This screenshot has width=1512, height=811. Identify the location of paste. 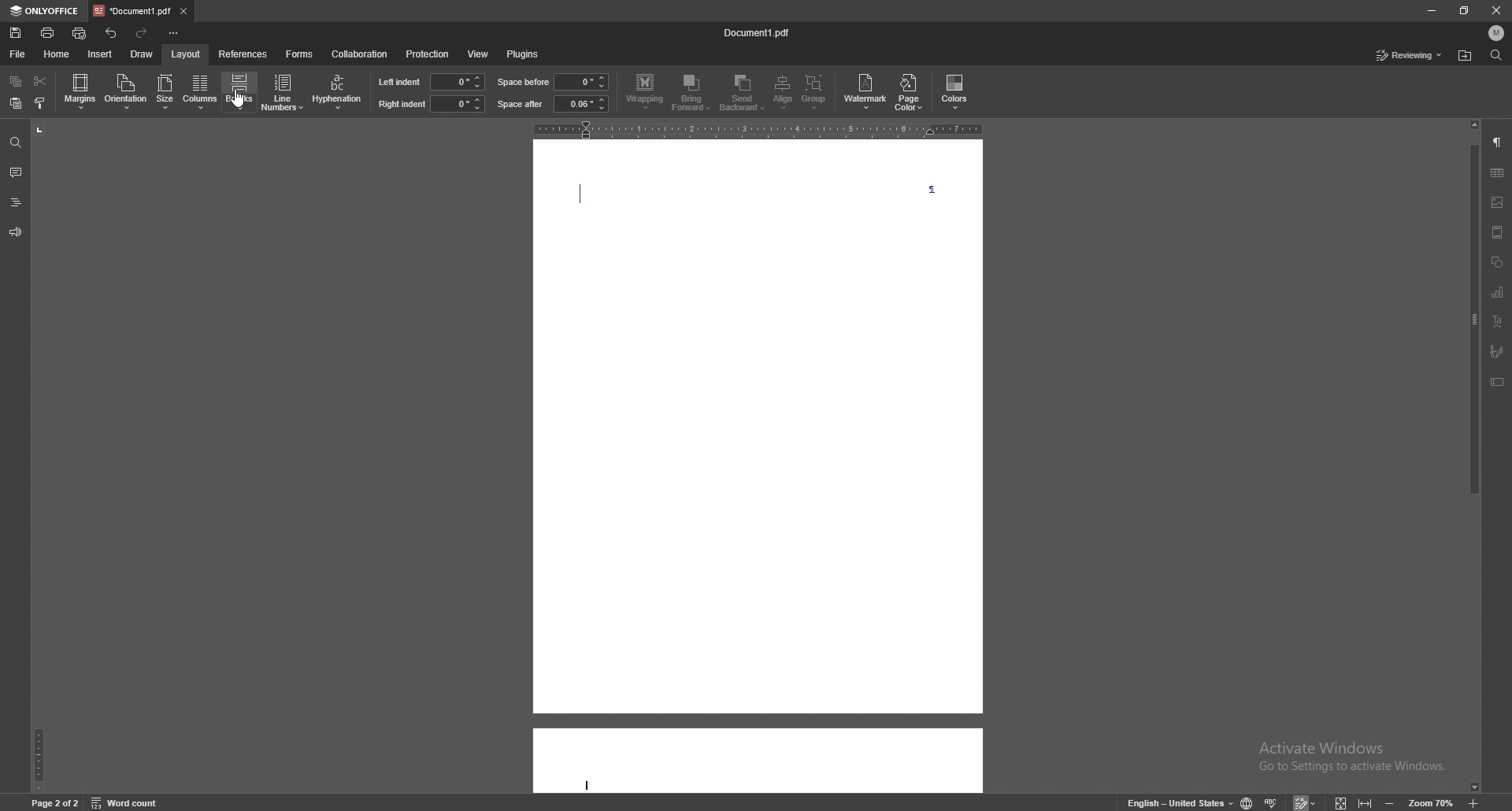
(17, 103).